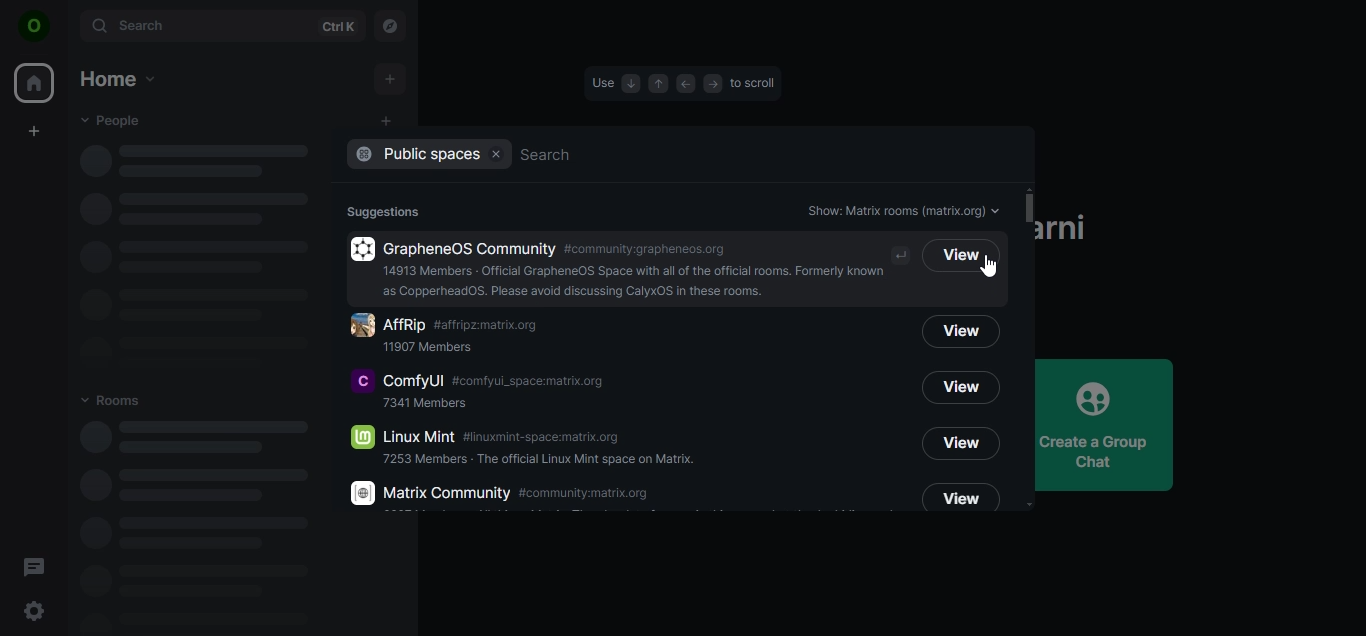  I want to click on threads, so click(35, 566).